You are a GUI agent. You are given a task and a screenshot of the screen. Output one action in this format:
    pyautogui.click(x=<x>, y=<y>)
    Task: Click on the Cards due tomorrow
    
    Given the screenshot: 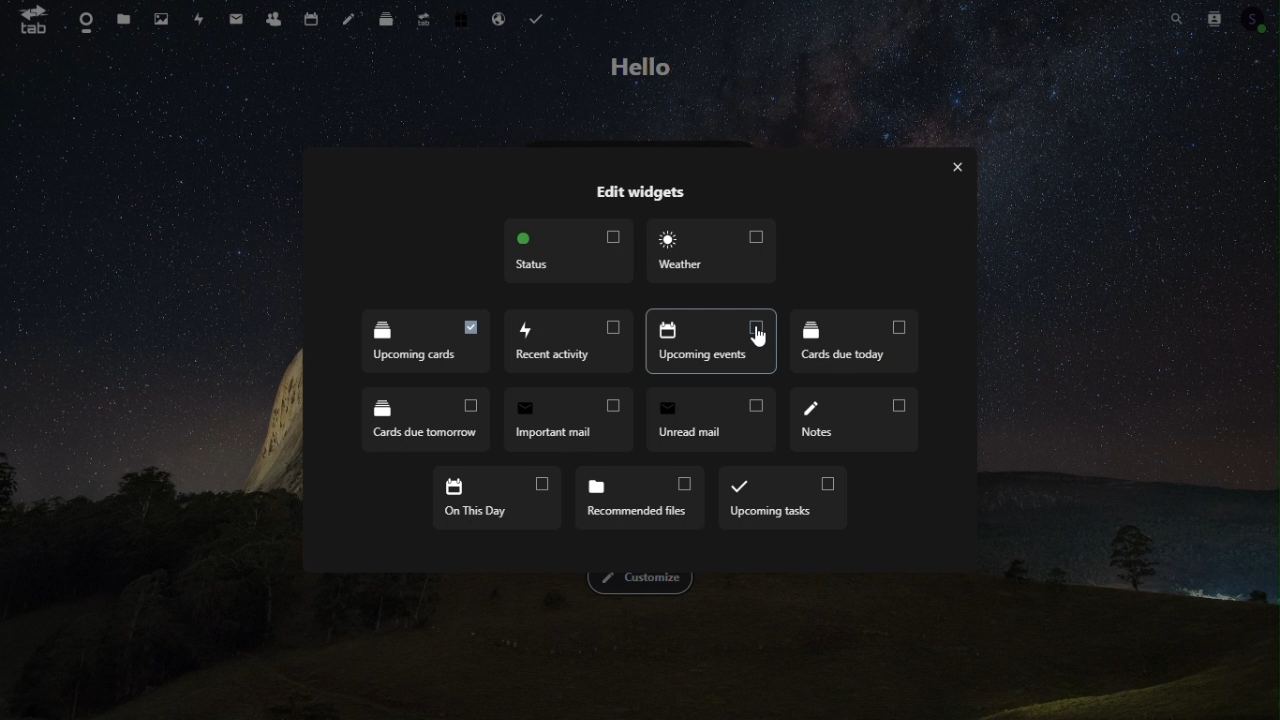 What is the action you would take?
    pyautogui.click(x=414, y=421)
    